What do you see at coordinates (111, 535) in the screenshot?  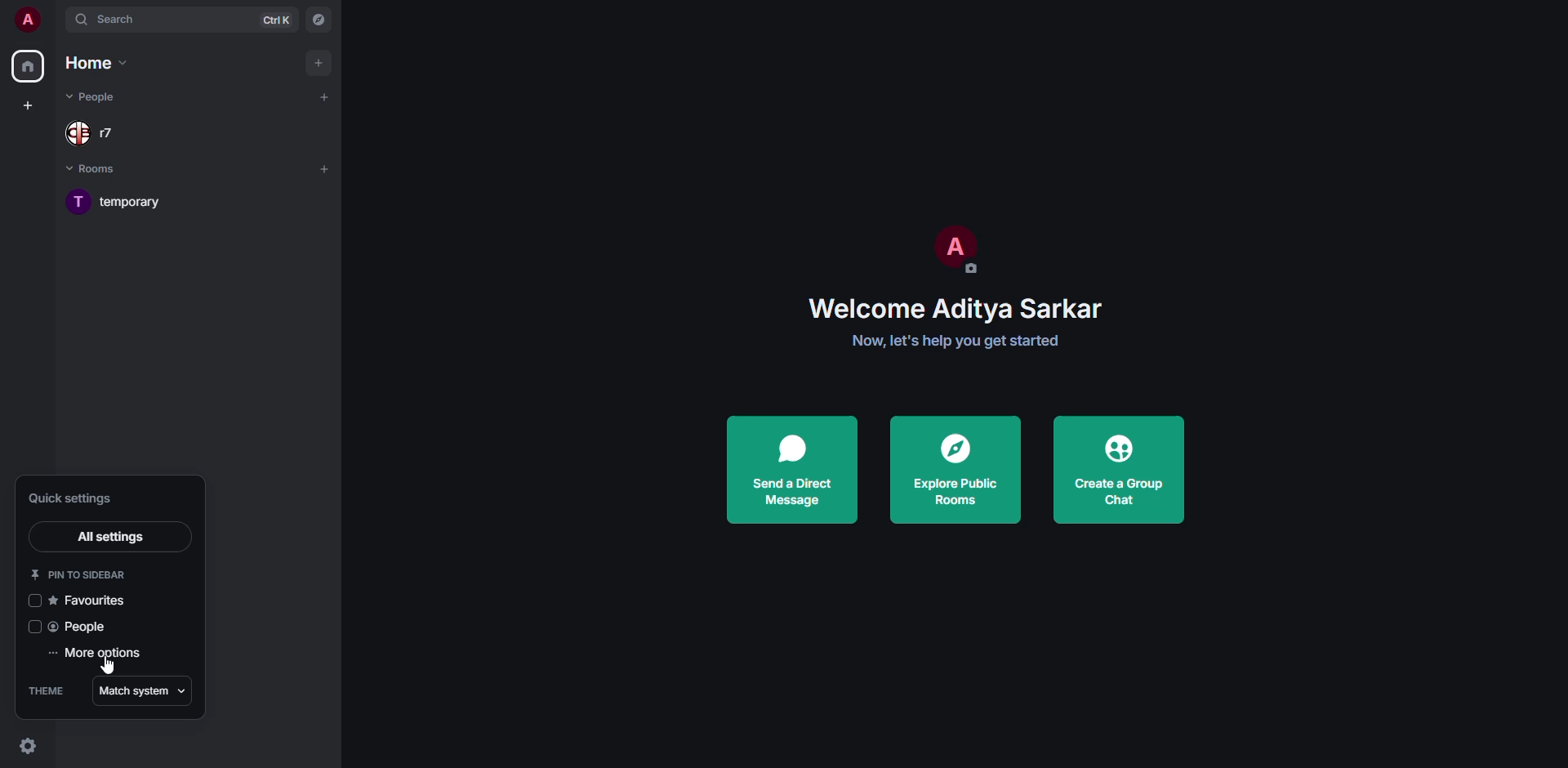 I see `all settings` at bounding box center [111, 535].